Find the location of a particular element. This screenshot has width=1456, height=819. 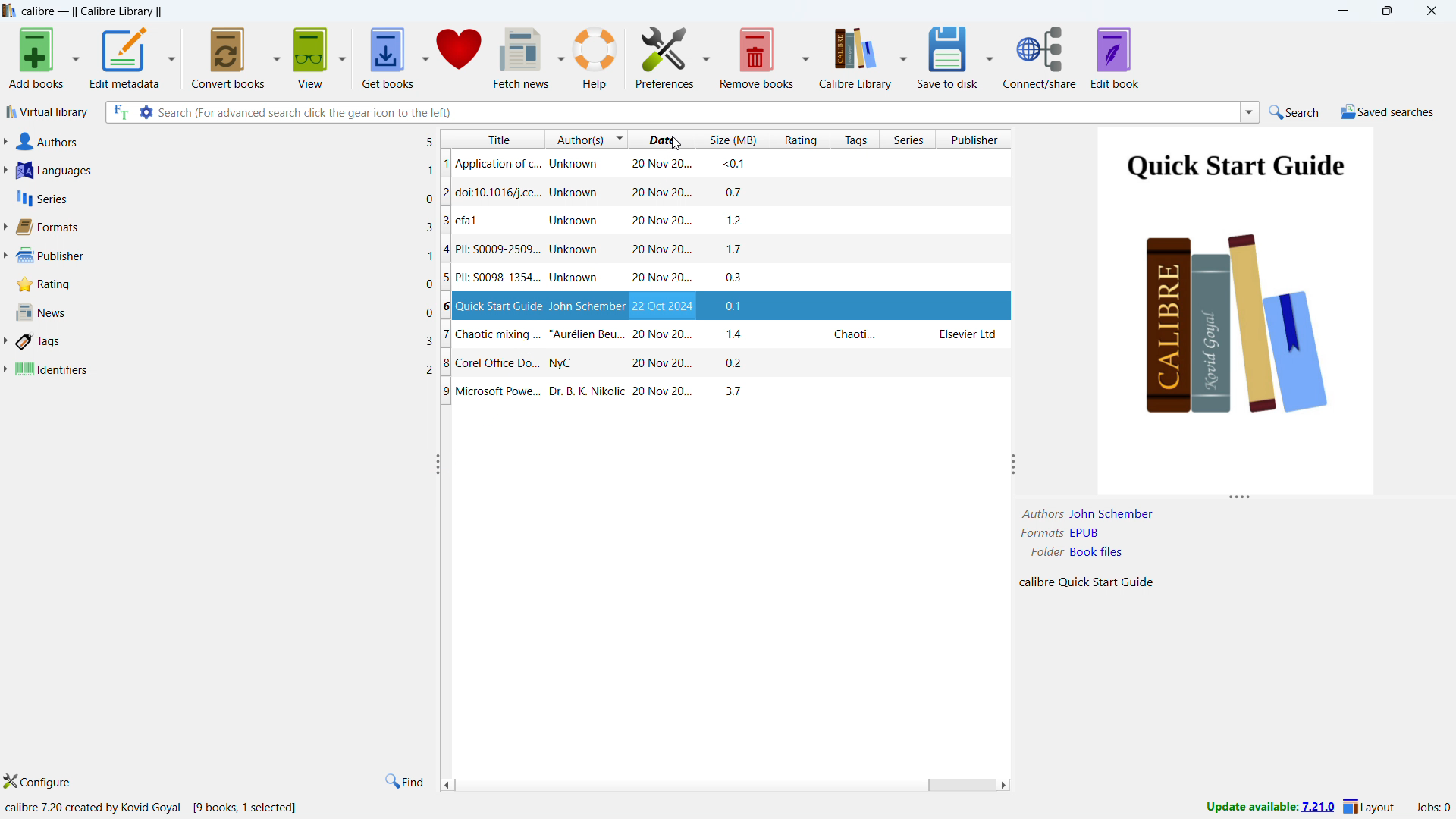

20 Nov 20.. is located at coordinates (648, 364).